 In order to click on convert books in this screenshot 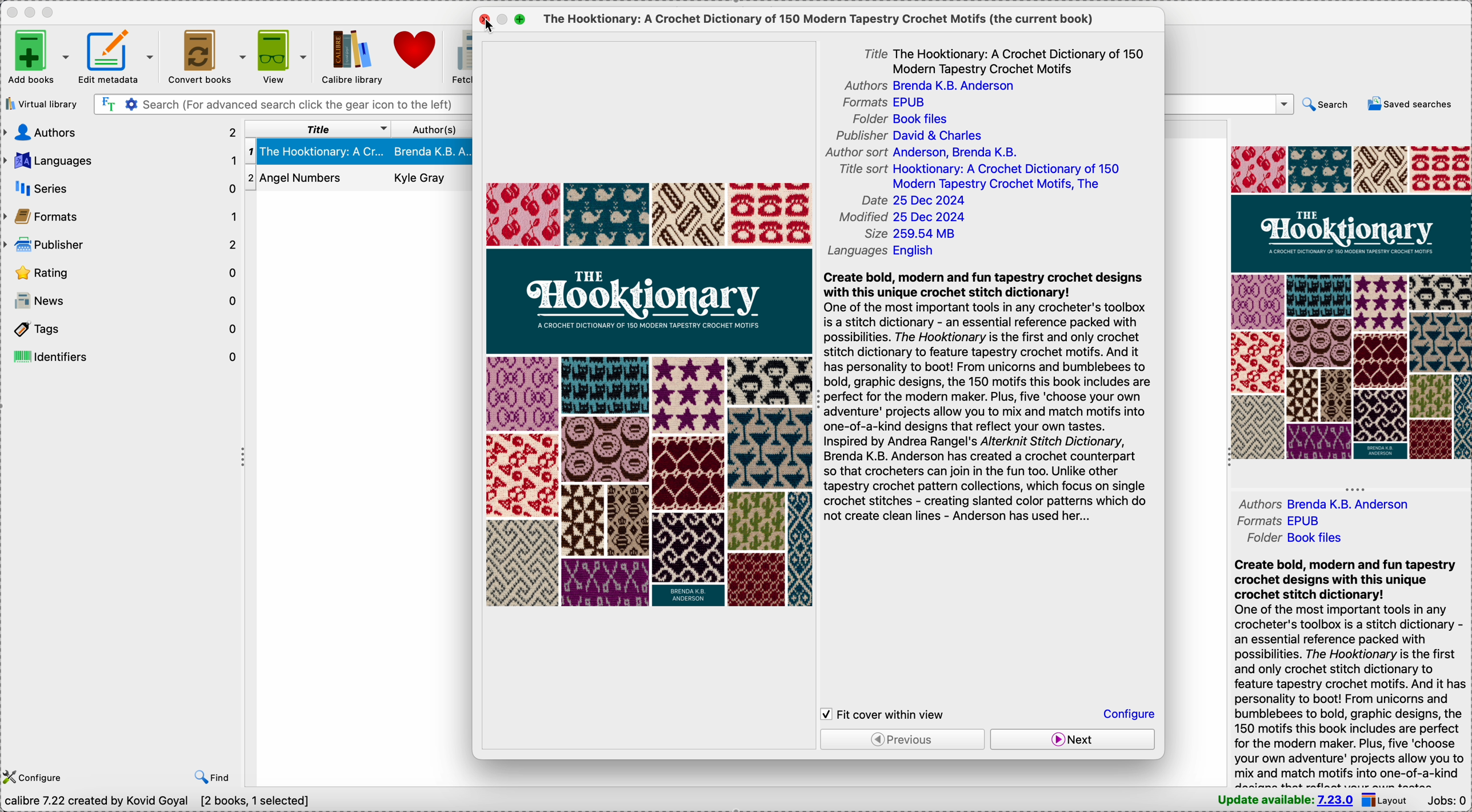, I will do `click(205, 55)`.